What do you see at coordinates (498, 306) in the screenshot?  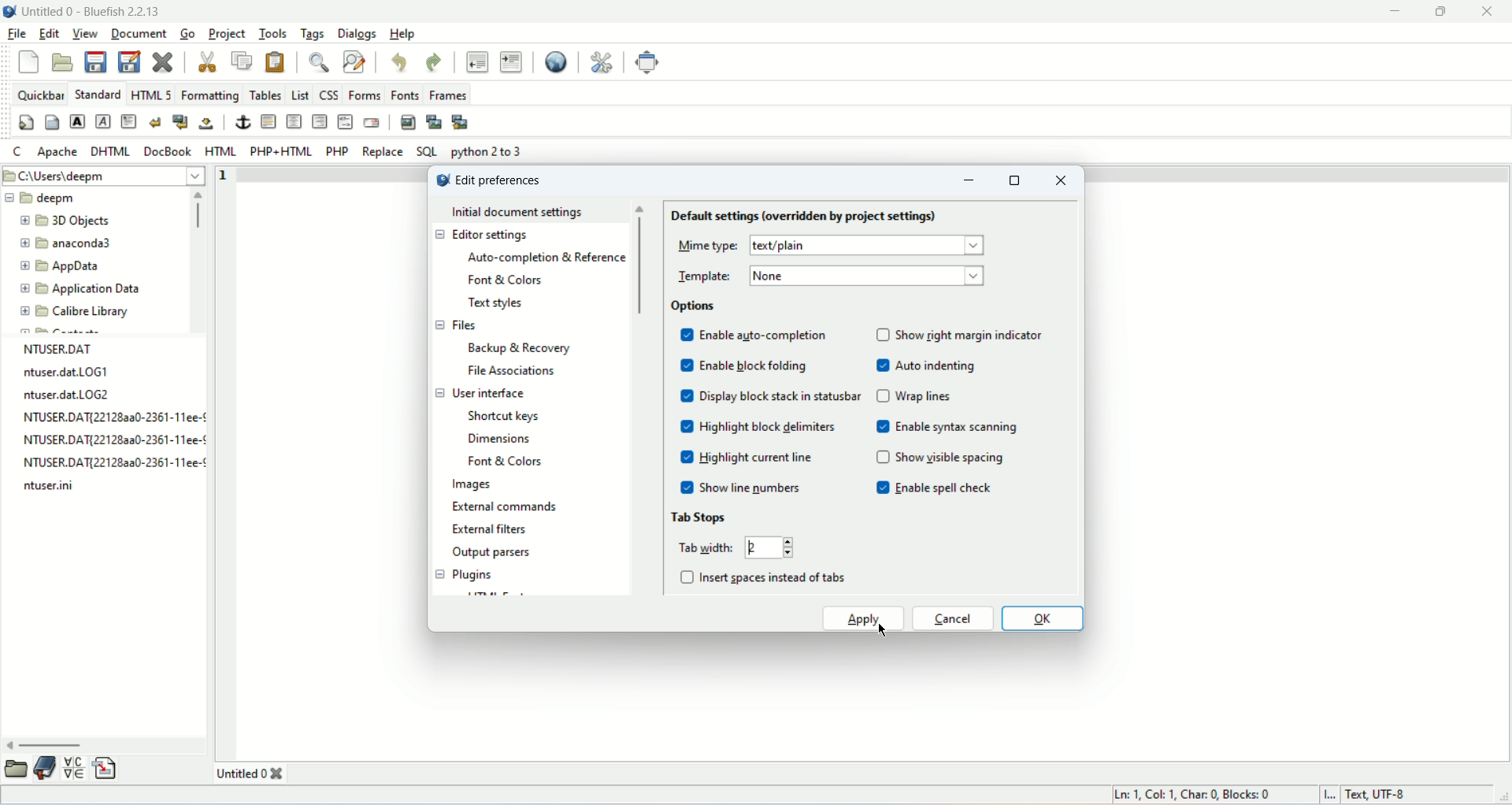 I see `text styles` at bounding box center [498, 306].